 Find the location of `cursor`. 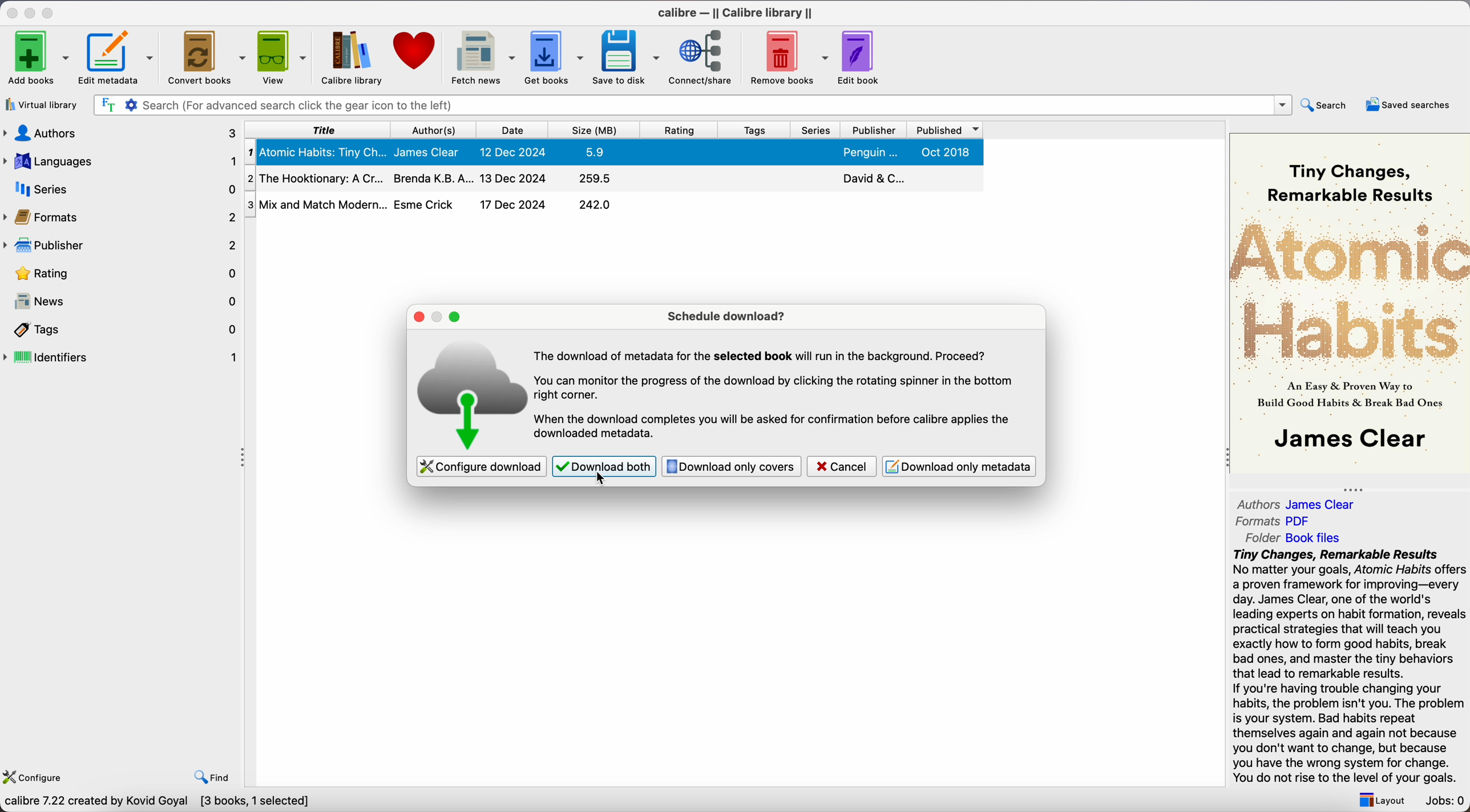

cursor is located at coordinates (600, 479).